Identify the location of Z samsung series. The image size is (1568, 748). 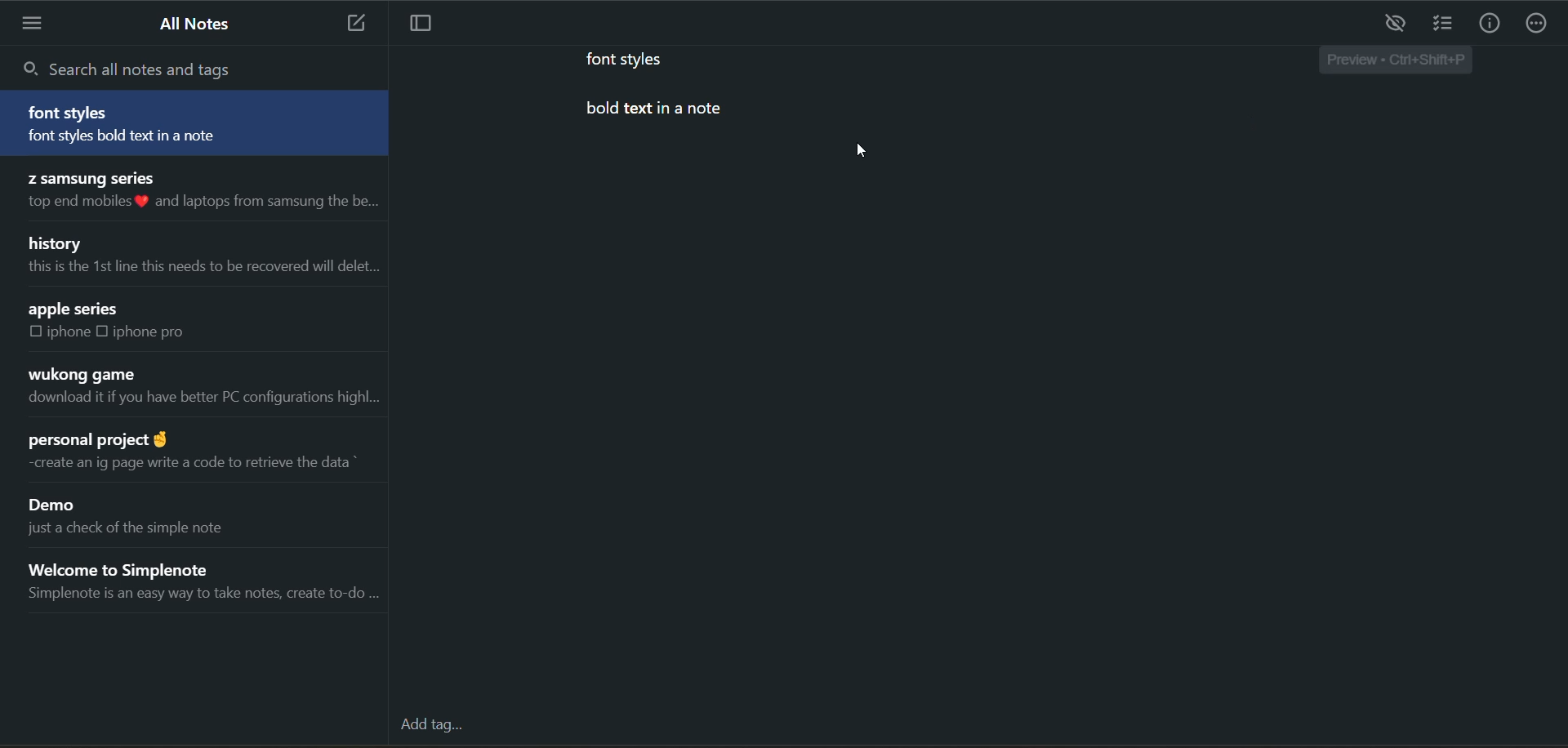
(89, 176).